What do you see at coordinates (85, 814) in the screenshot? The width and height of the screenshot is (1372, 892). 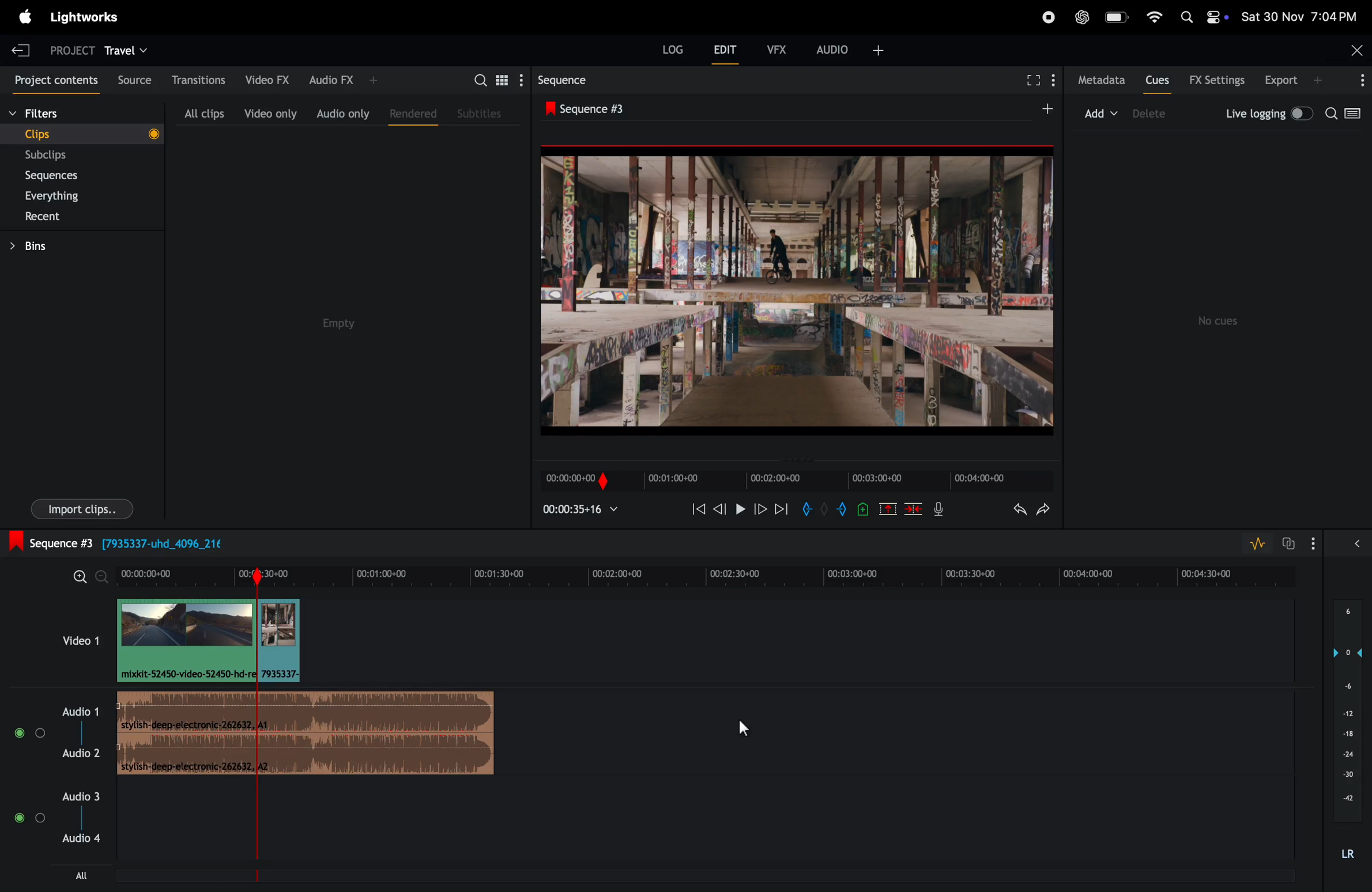 I see `Audio 3 -- Audio 4` at bounding box center [85, 814].